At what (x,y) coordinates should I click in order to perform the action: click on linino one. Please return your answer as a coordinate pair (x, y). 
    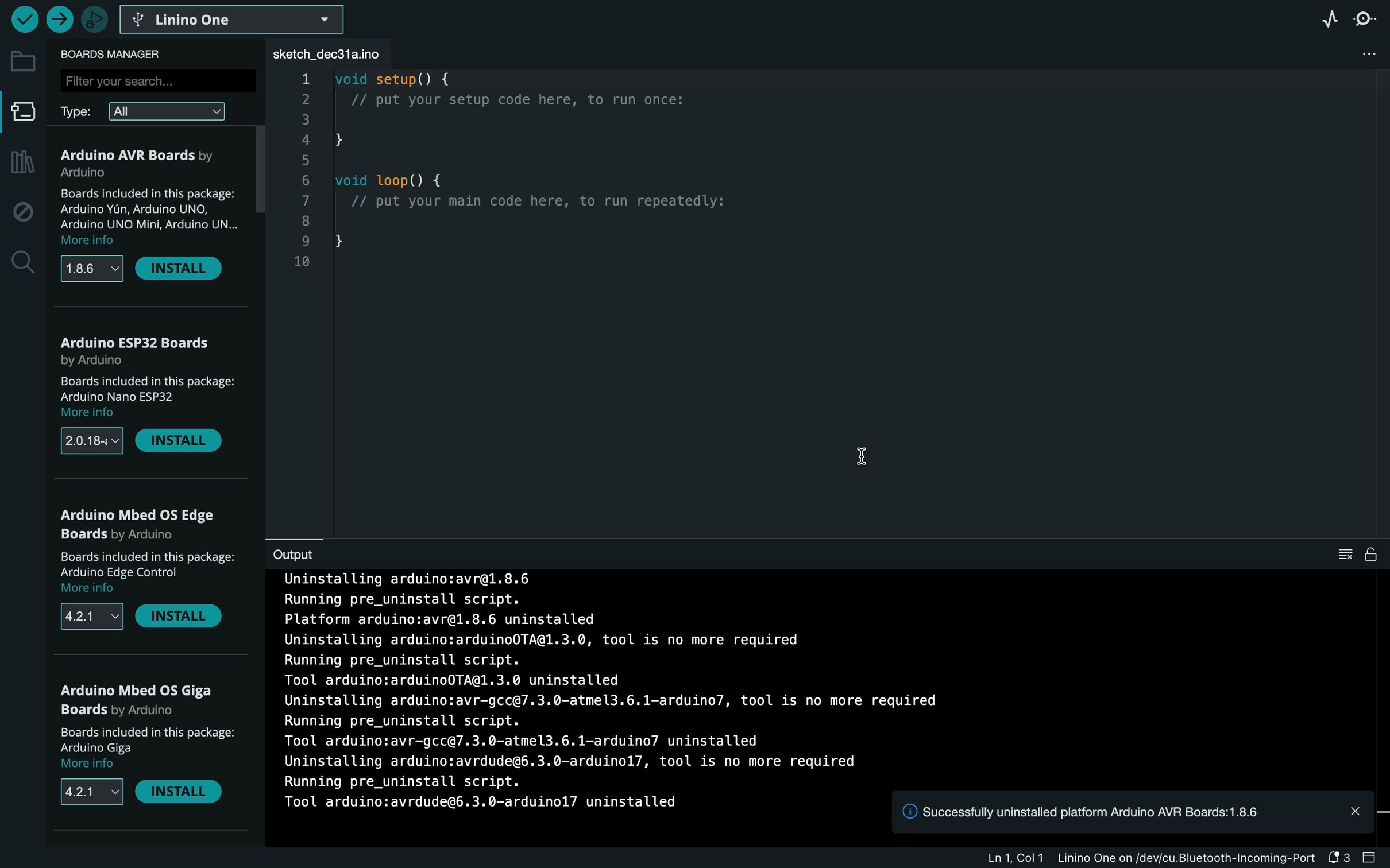
    Looking at the image, I should click on (239, 18).